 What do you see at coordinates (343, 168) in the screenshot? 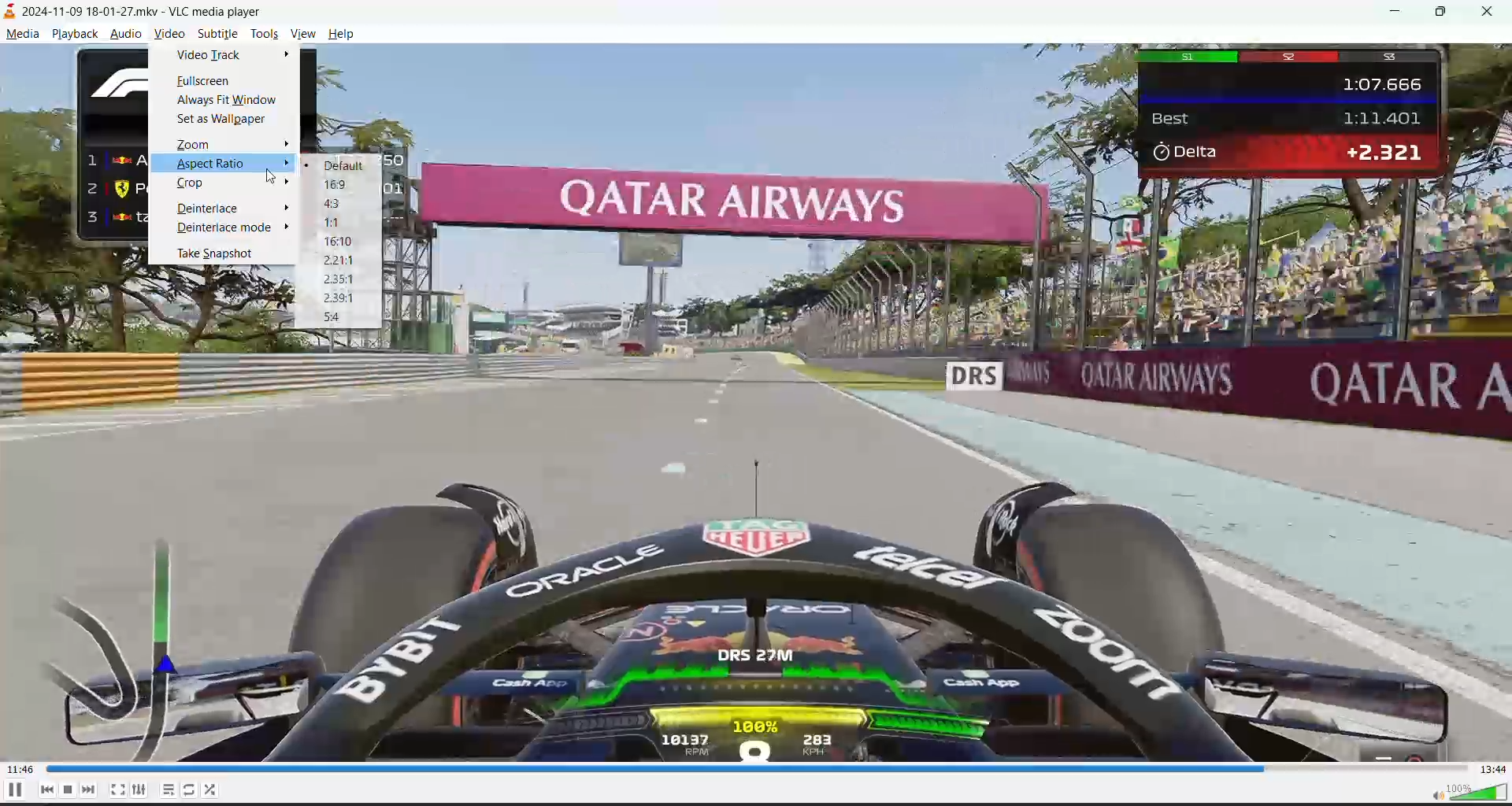
I see `default` at bounding box center [343, 168].